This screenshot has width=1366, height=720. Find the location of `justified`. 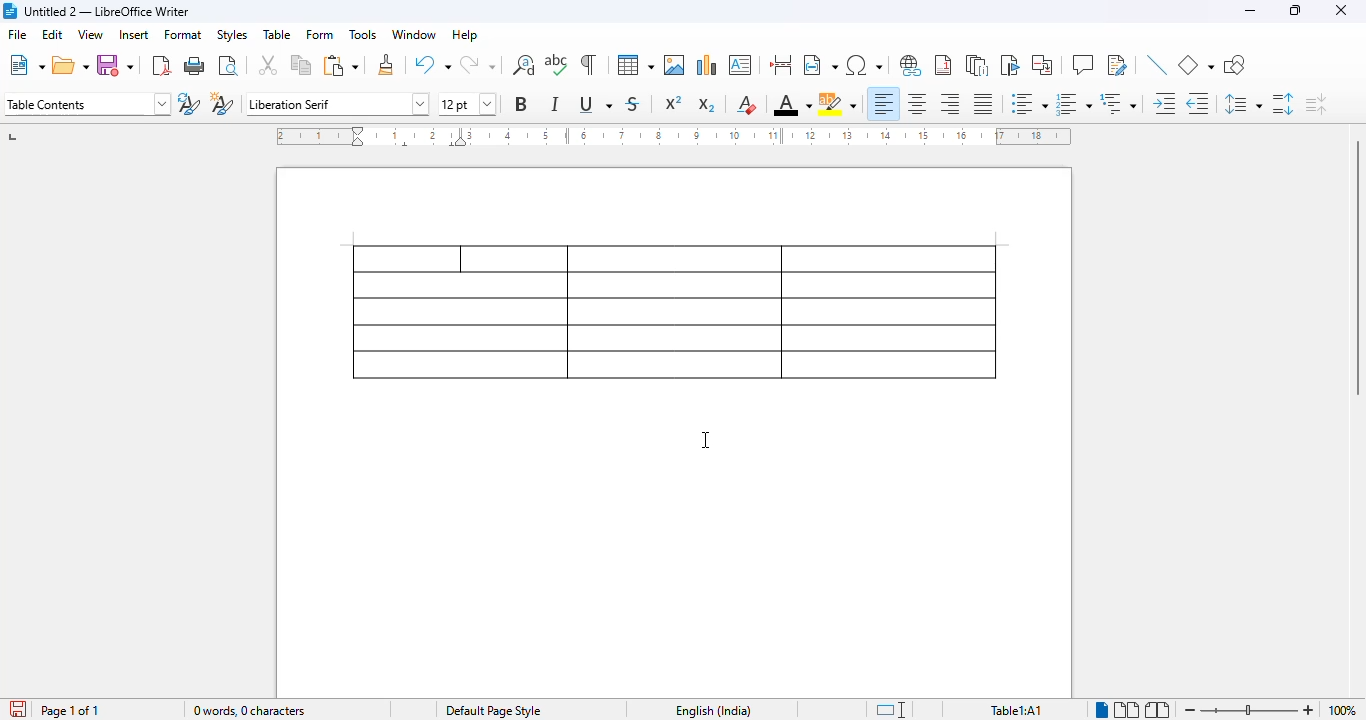

justified is located at coordinates (983, 103).